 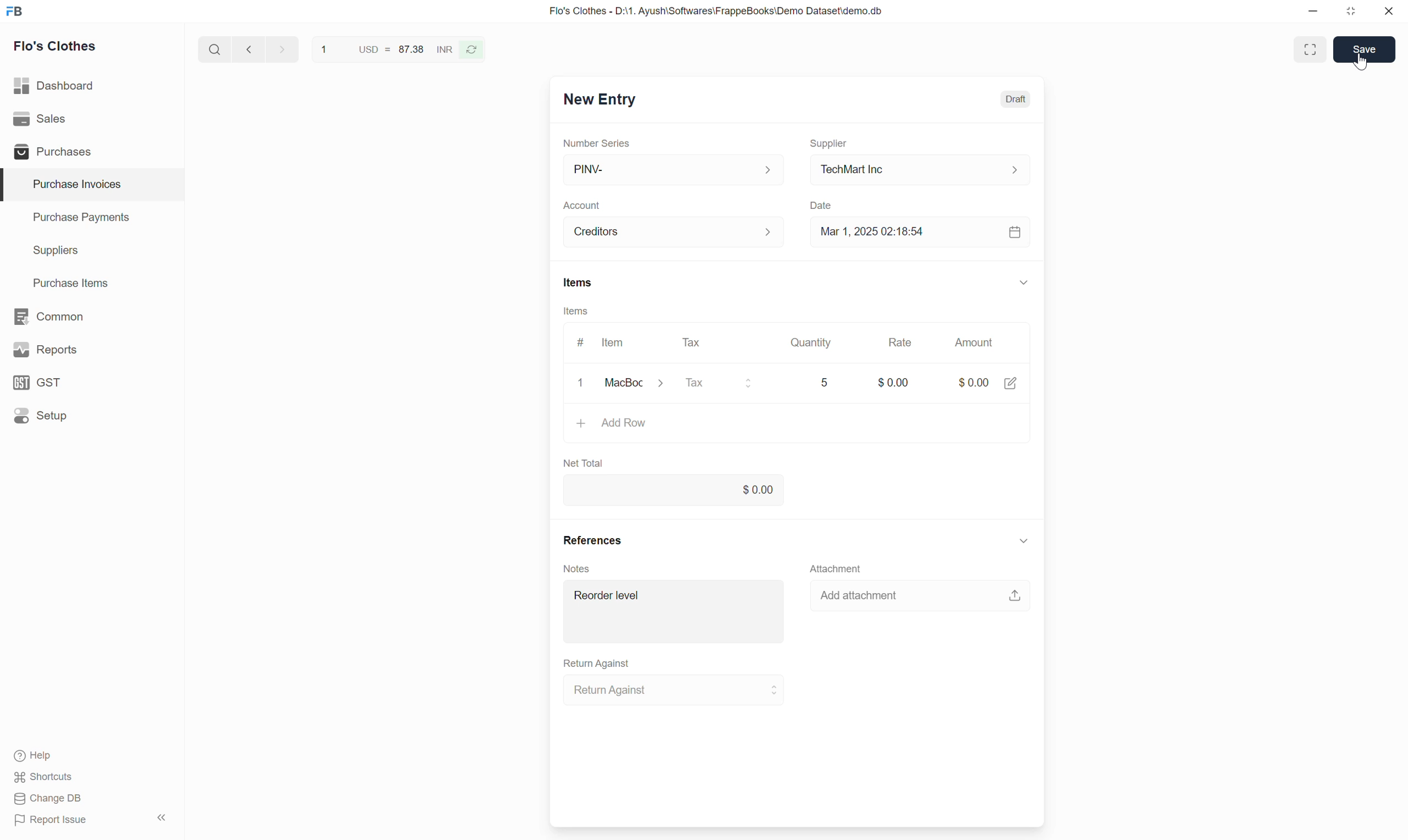 What do you see at coordinates (602, 342) in the screenshot?
I see `# Item` at bounding box center [602, 342].